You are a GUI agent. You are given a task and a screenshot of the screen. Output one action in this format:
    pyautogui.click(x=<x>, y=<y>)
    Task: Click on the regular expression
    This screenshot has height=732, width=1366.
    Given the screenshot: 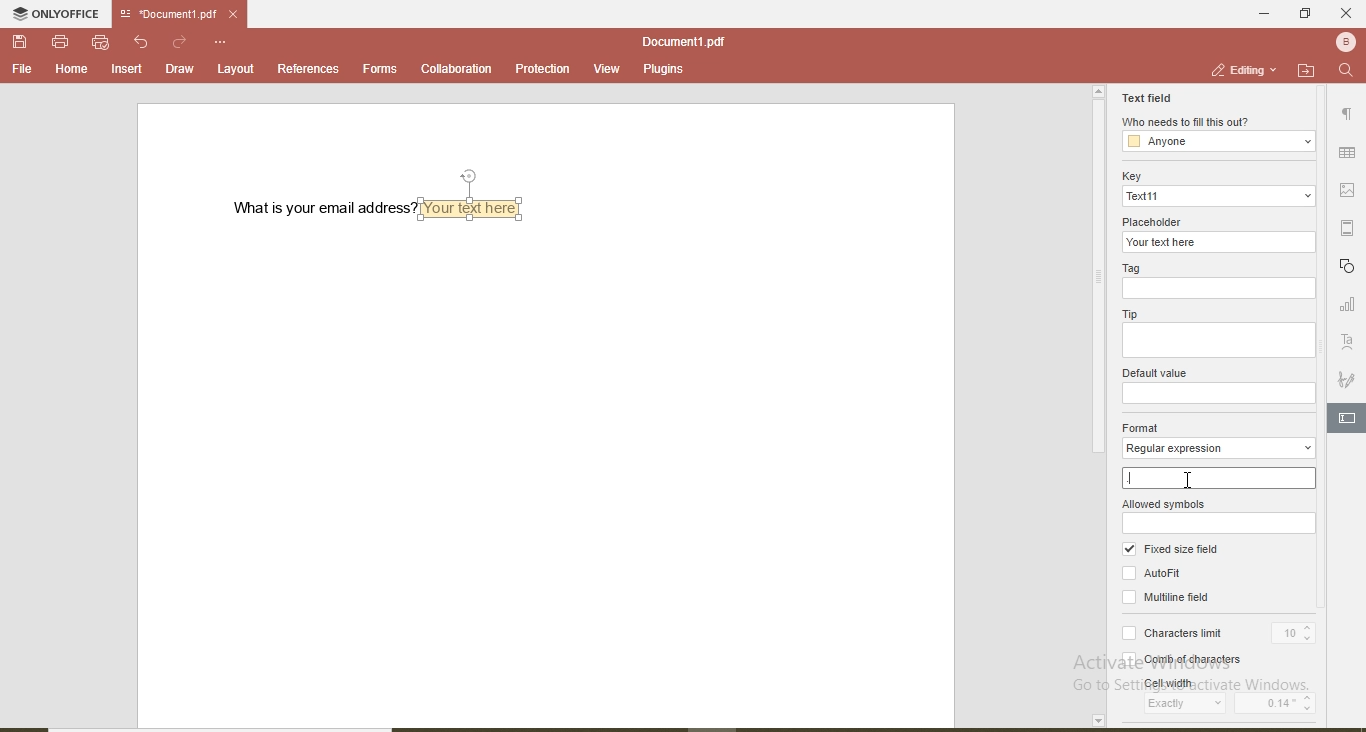 What is the action you would take?
    pyautogui.click(x=1219, y=449)
    